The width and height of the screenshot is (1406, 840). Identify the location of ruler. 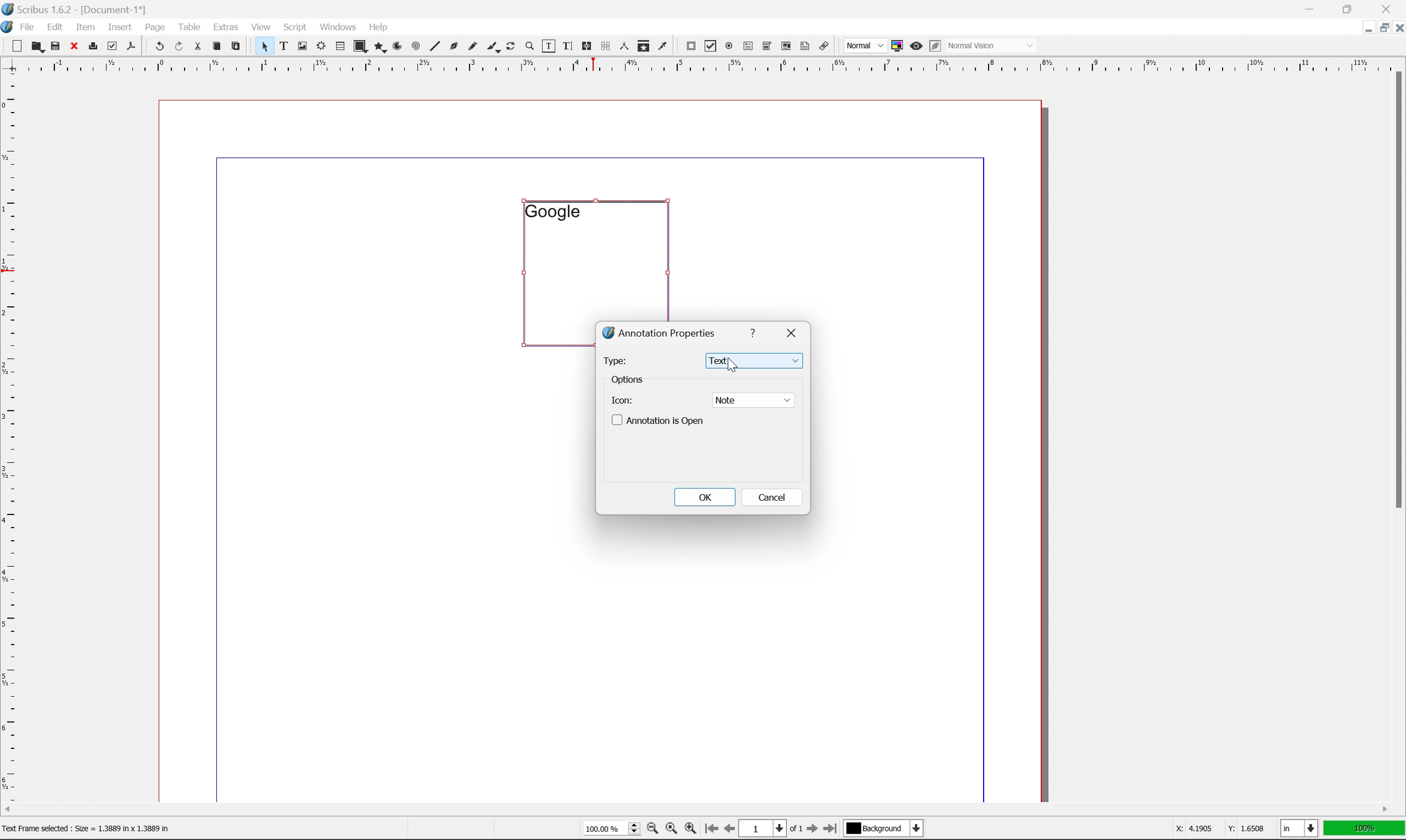
(10, 436).